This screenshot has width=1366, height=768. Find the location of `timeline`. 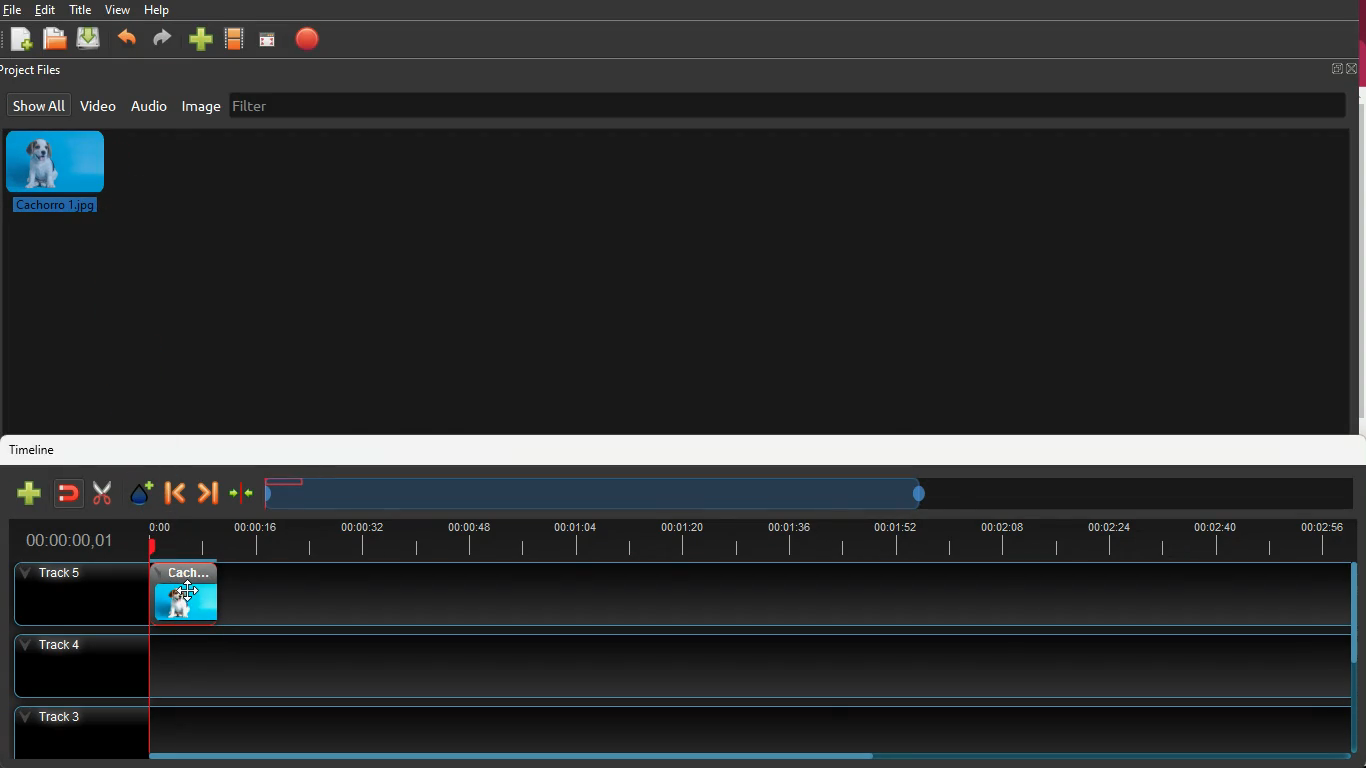

timeline is located at coordinates (751, 537).